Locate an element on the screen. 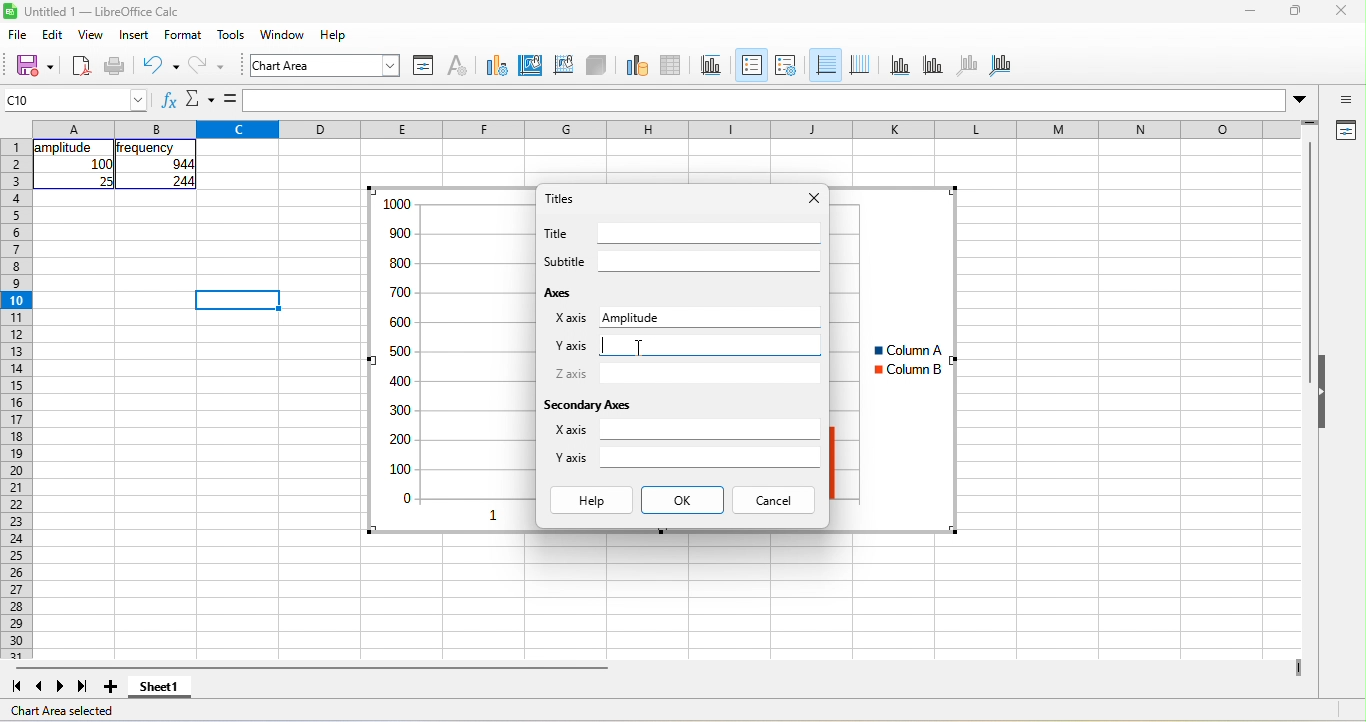 The width and height of the screenshot is (1366, 722). Input for z axis is located at coordinates (710, 374).